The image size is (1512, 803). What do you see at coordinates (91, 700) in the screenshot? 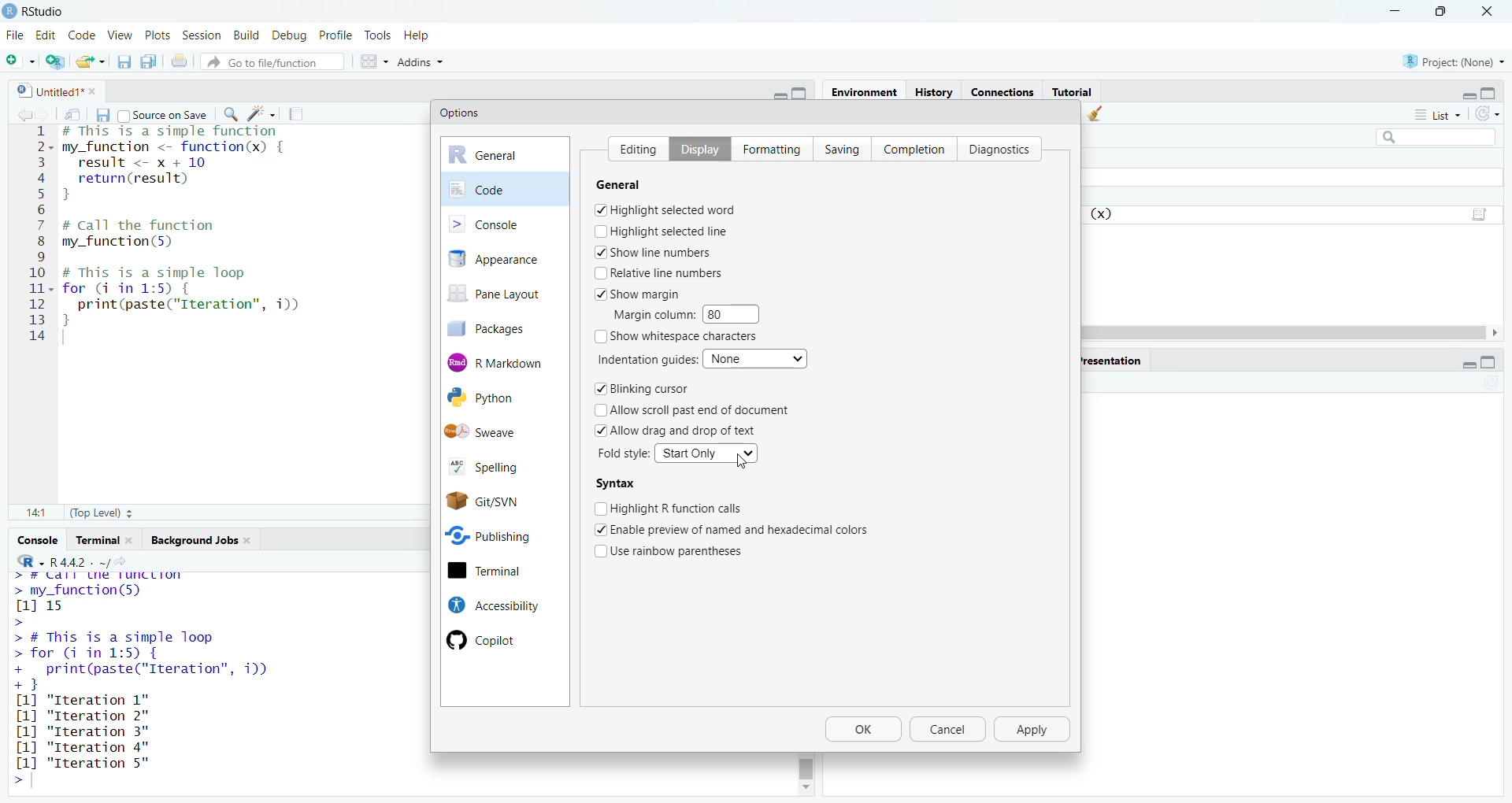
I see `[1] "Iteration 1"` at bounding box center [91, 700].